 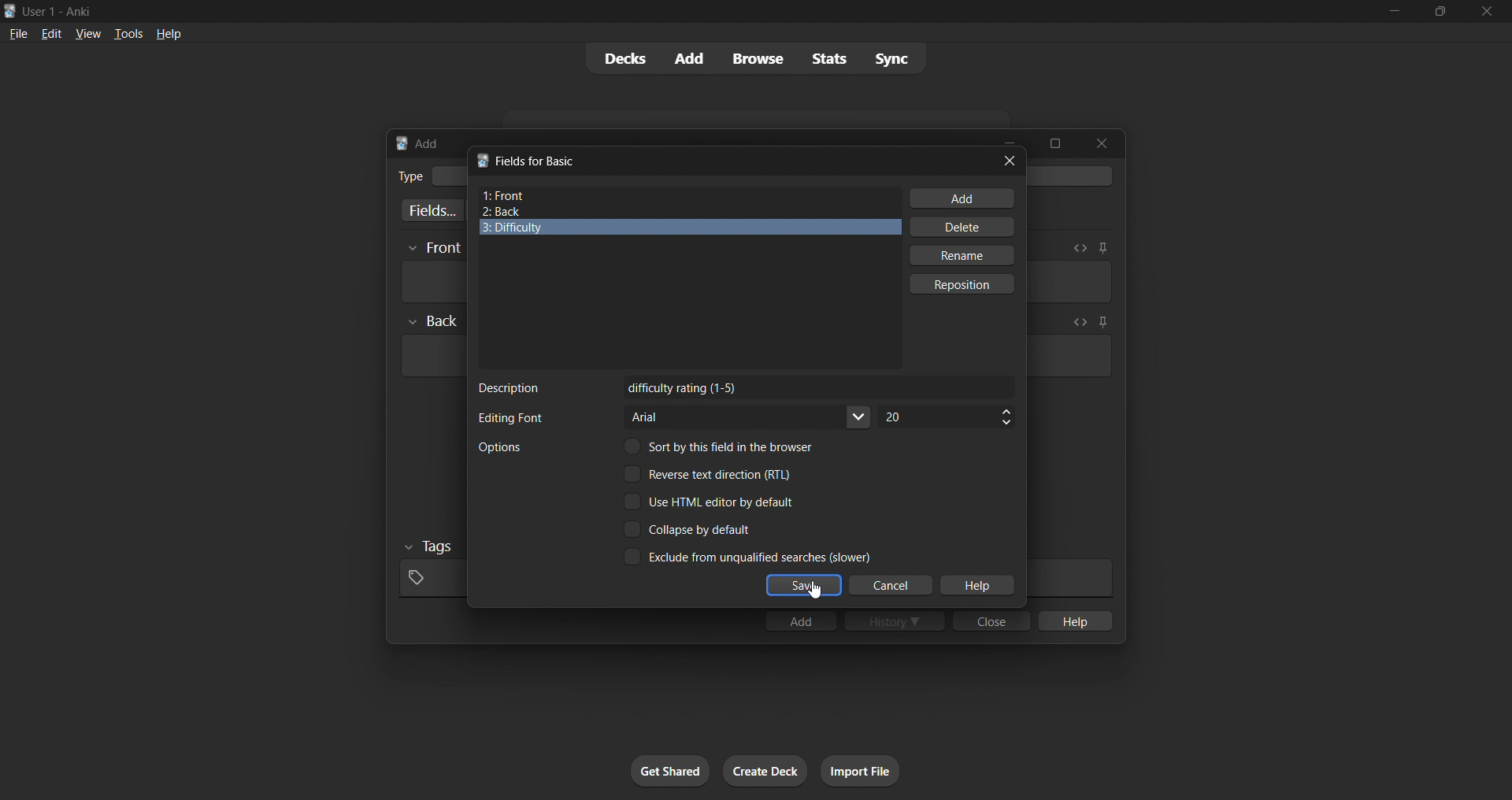 What do you see at coordinates (428, 143) in the screenshot?
I see `add title bar` at bounding box center [428, 143].